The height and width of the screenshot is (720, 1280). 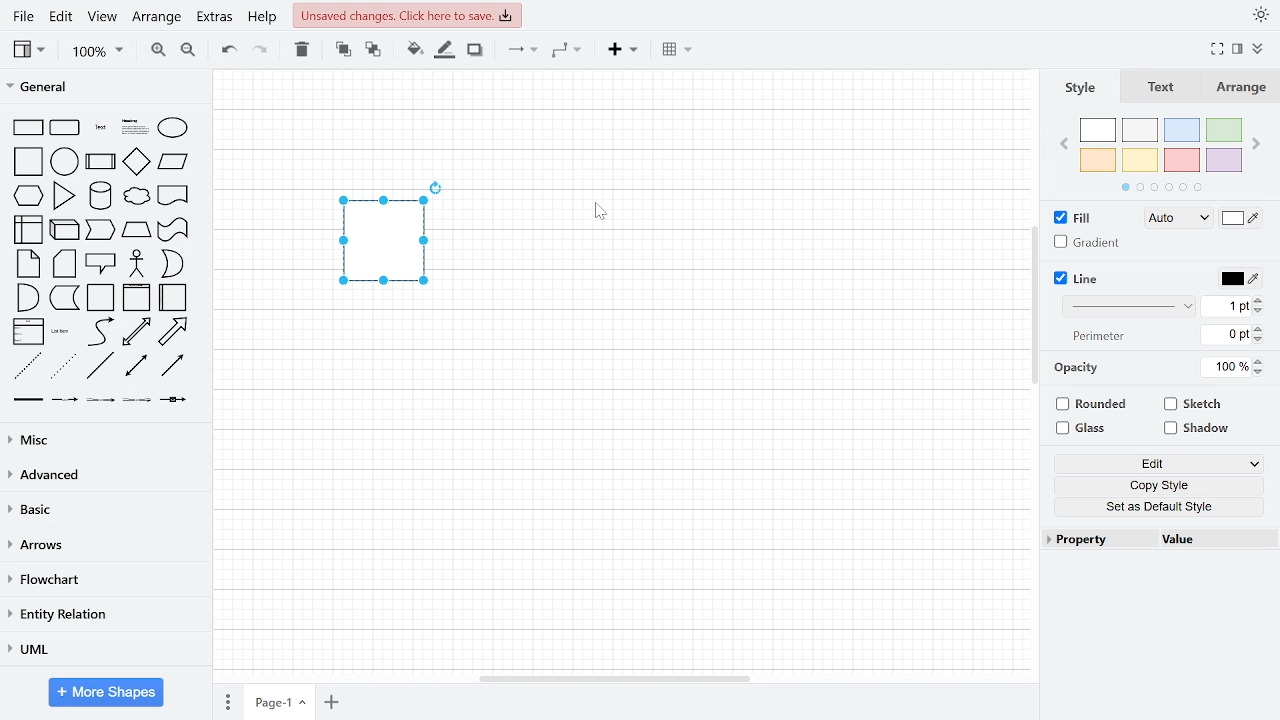 I want to click on edit , so click(x=1166, y=465).